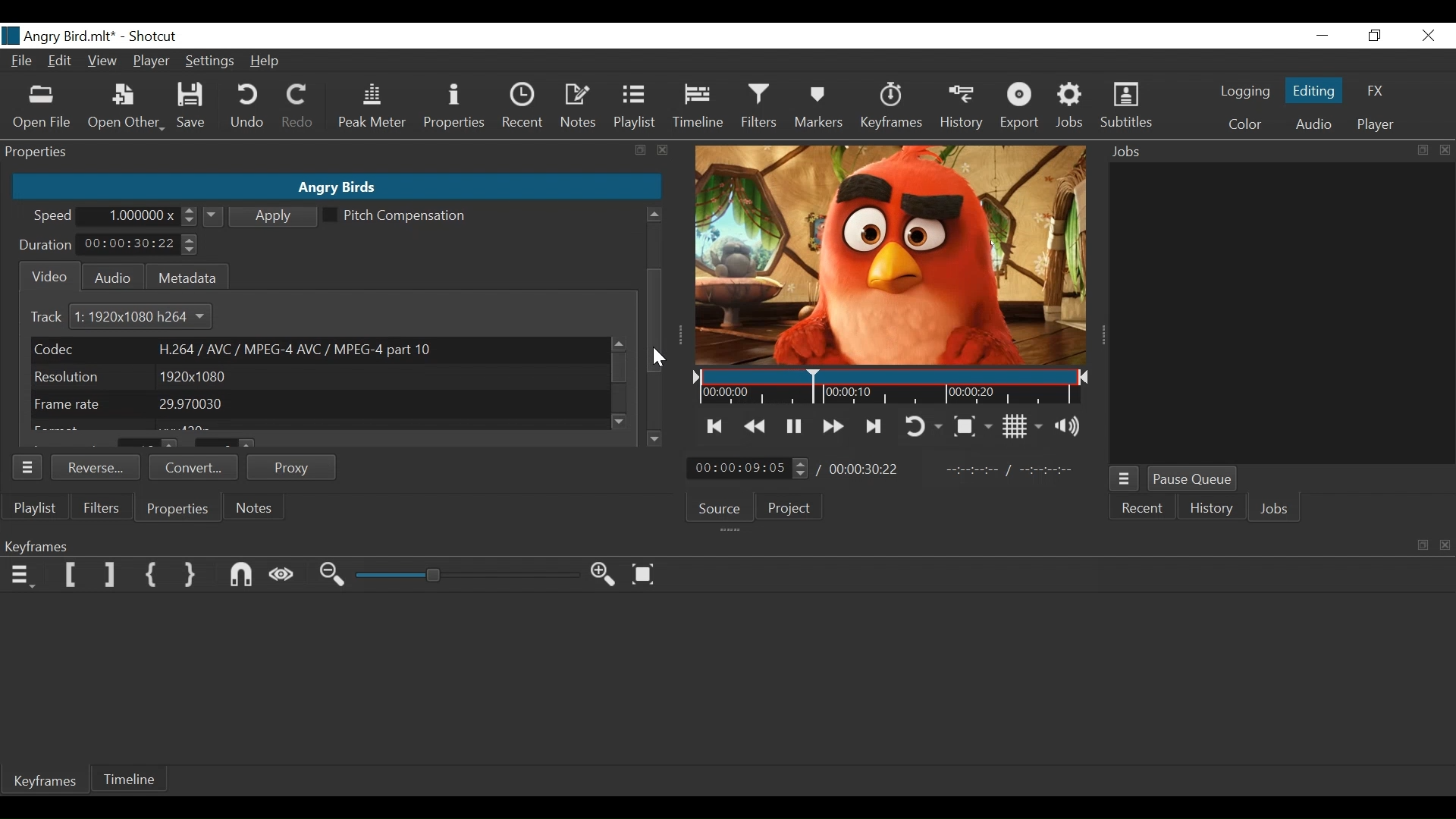  What do you see at coordinates (125, 108) in the screenshot?
I see `Open Other` at bounding box center [125, 108].